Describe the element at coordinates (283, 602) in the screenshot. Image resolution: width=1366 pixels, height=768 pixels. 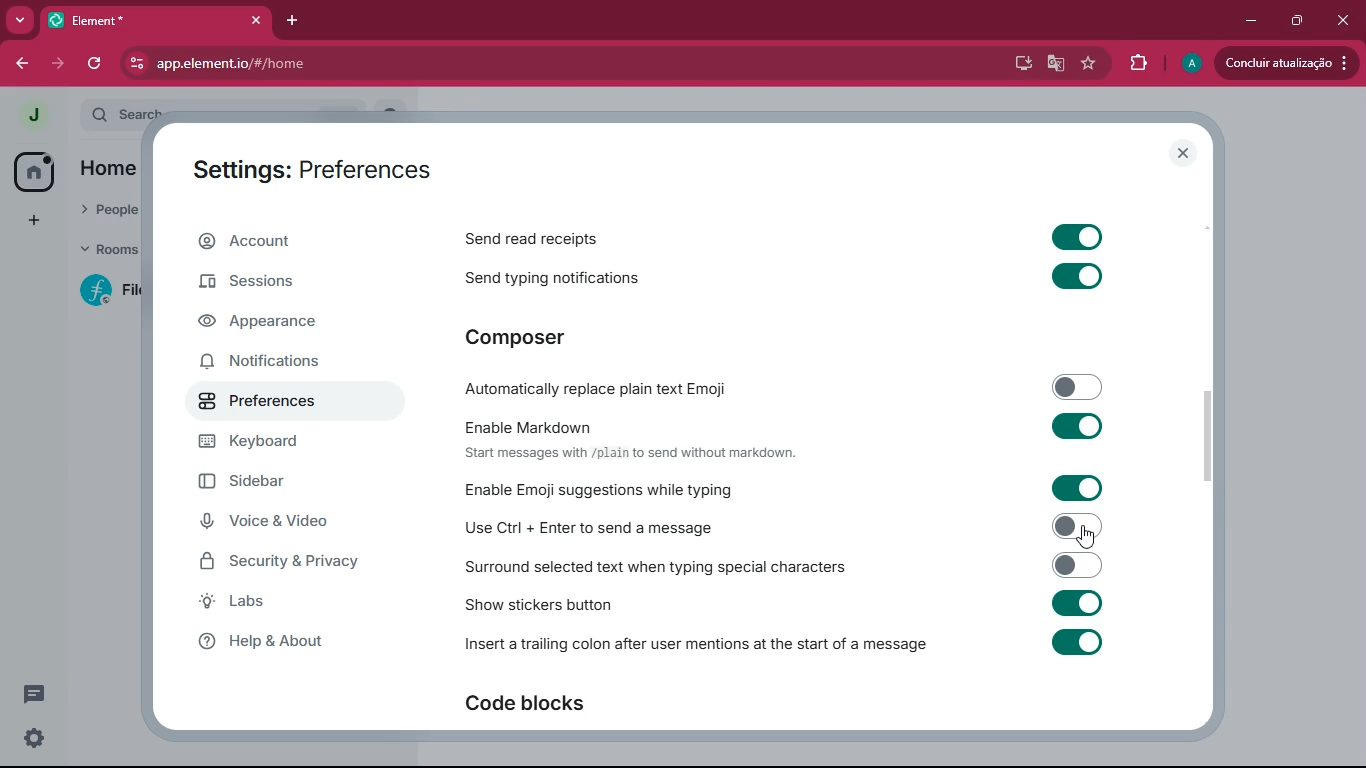
I see `labs` at that location.